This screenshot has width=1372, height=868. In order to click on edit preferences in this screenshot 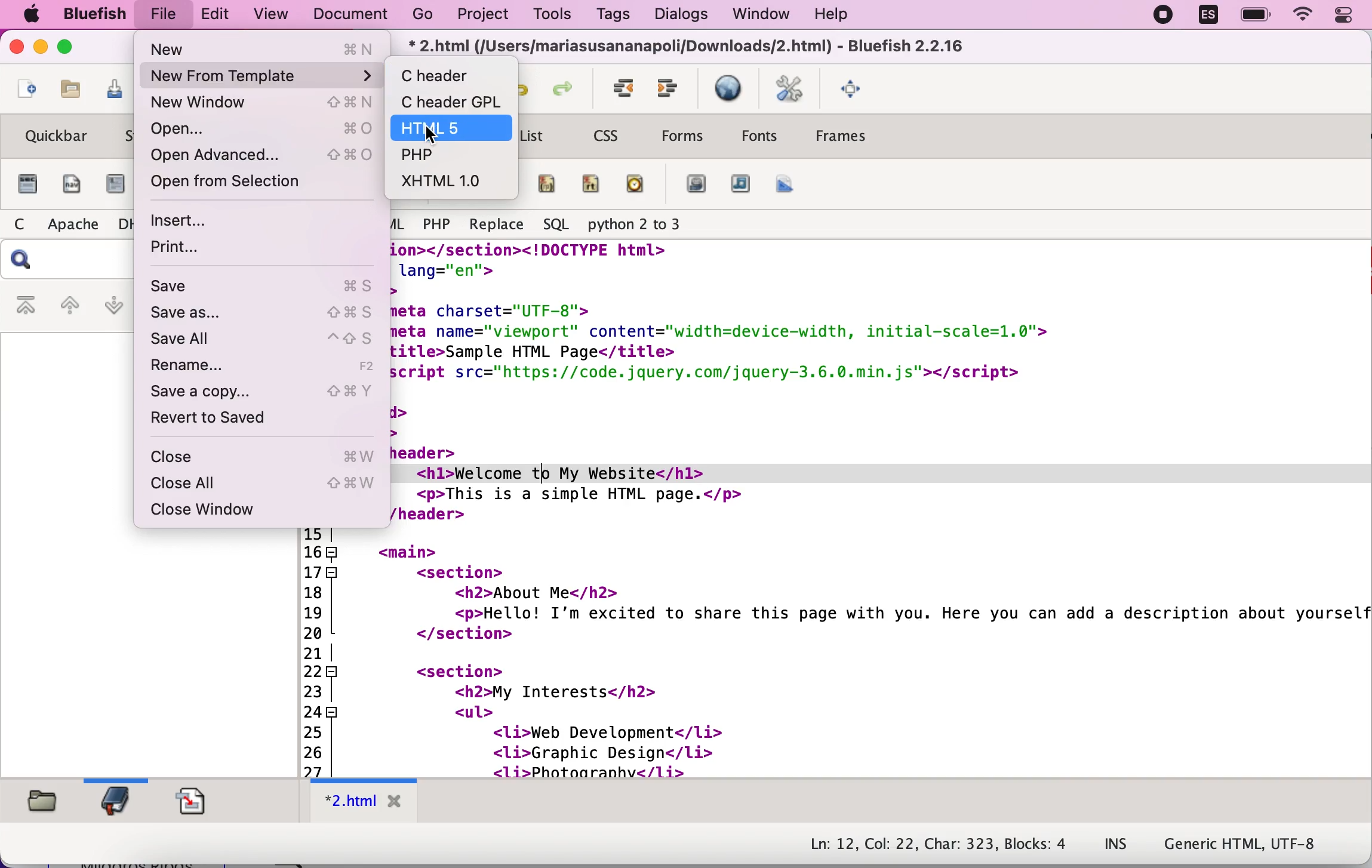, I will do `click(790, 85)`.